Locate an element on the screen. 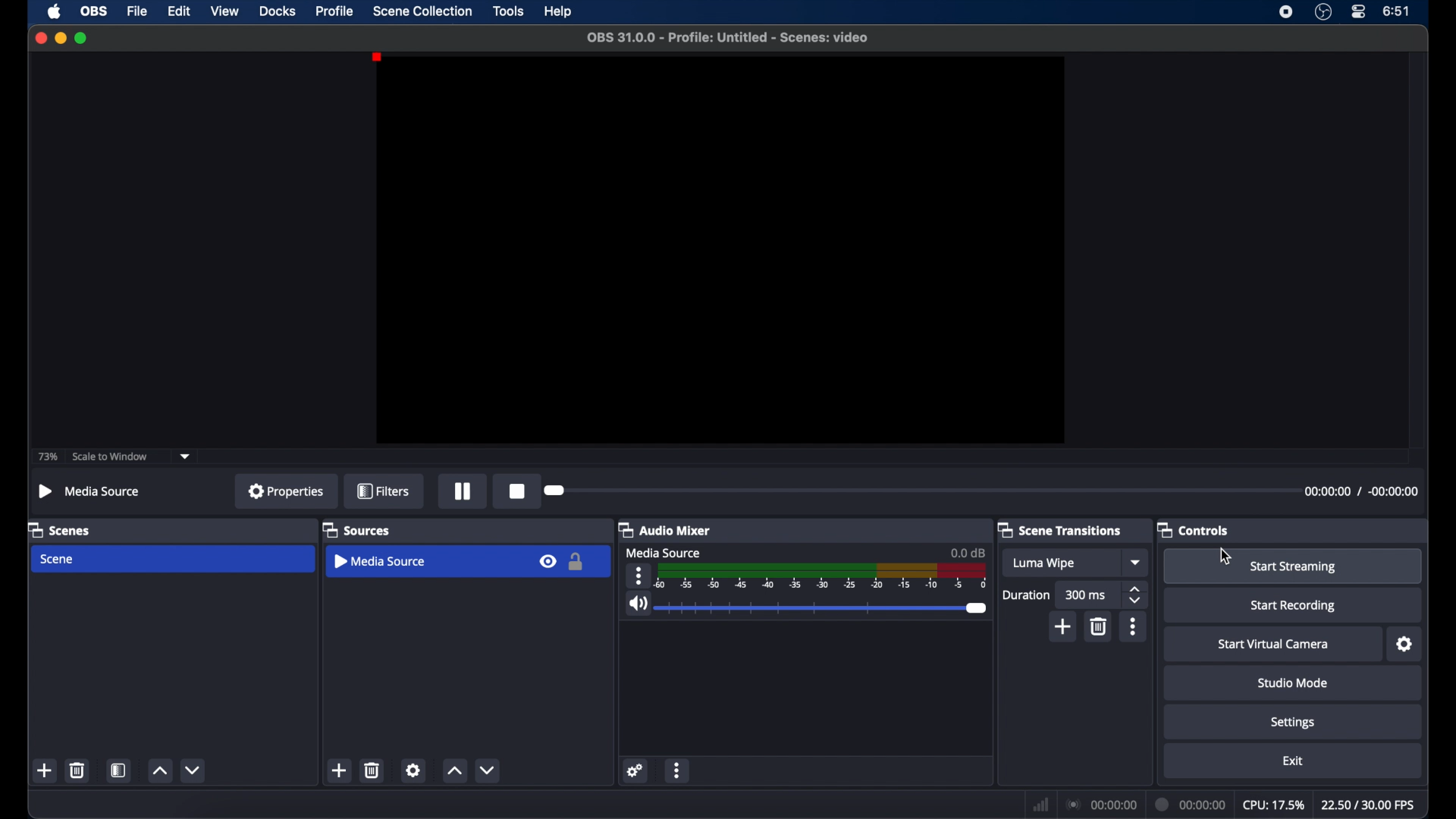 Image resolution: width=1456 pixels, height=819 pixels. timestamps is located at coordinates (1361, 492).